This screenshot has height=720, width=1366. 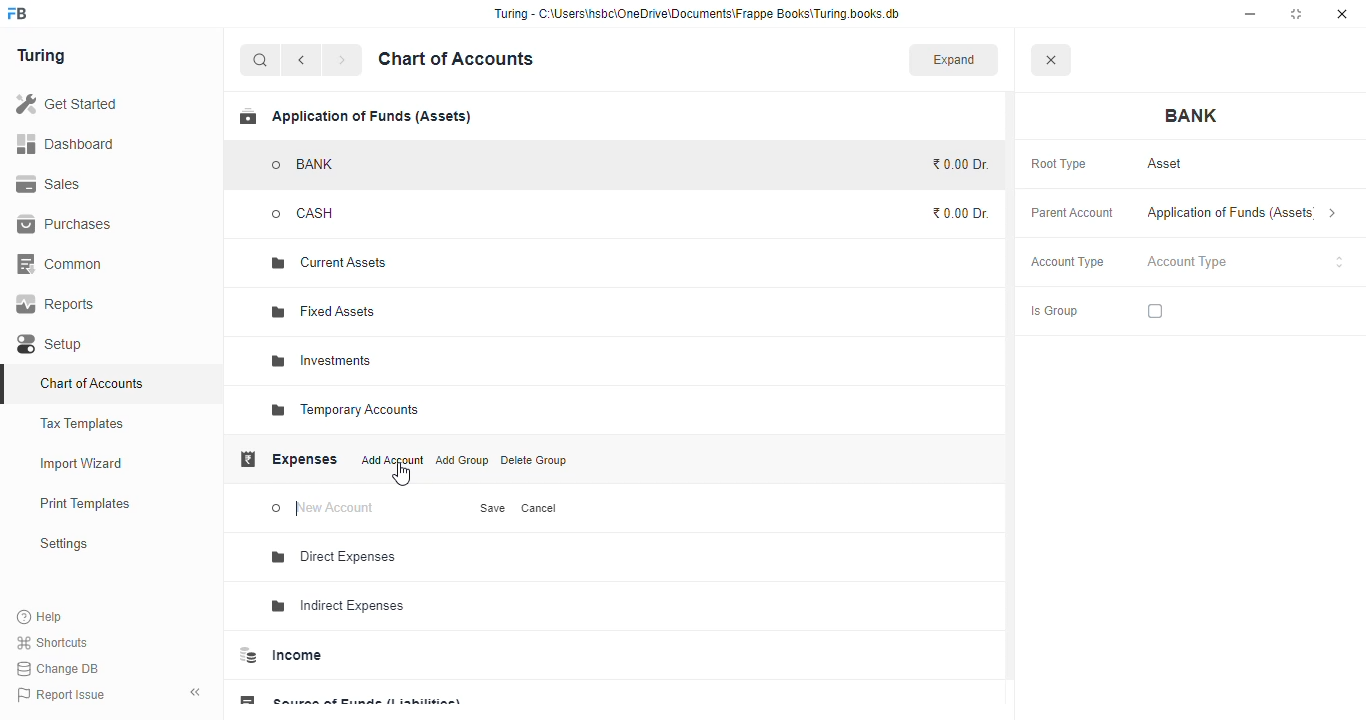 I want to click on dashboard, so click(x=65, y=143).